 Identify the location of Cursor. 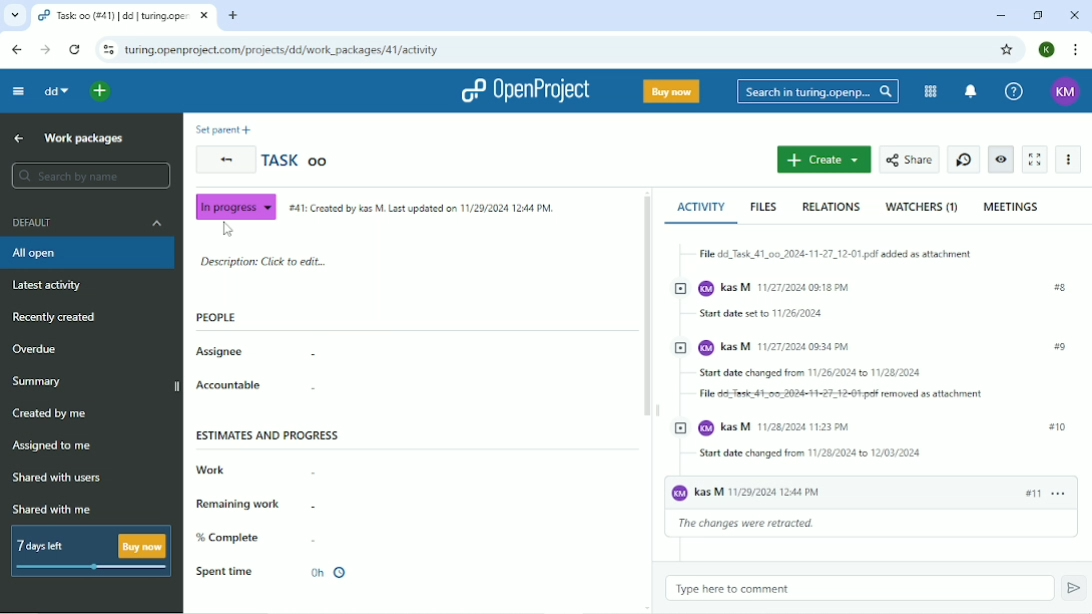
(232, 232).